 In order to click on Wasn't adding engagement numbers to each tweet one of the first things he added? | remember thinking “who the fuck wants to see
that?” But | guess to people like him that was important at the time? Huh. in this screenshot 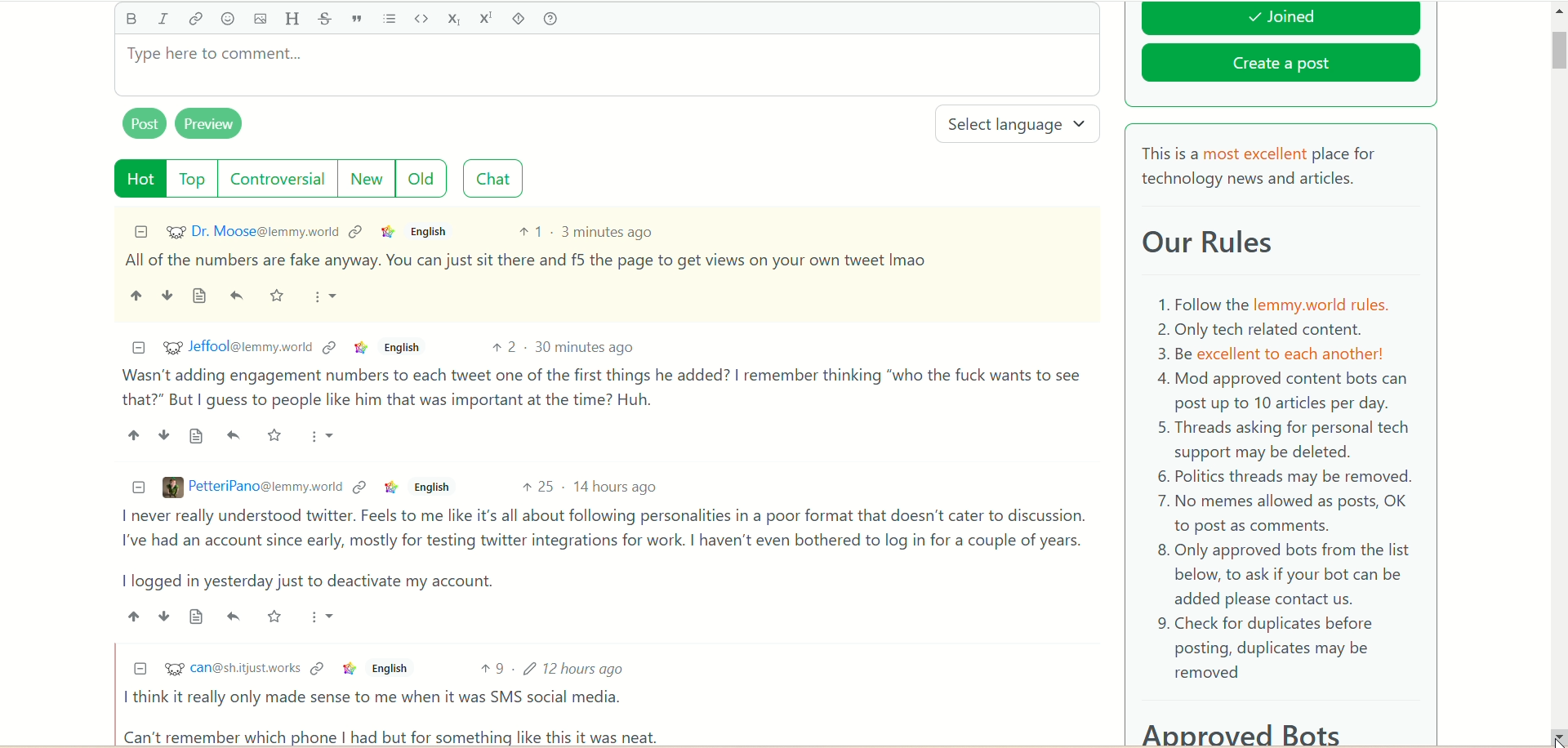, I will do `click(602, 388)`.